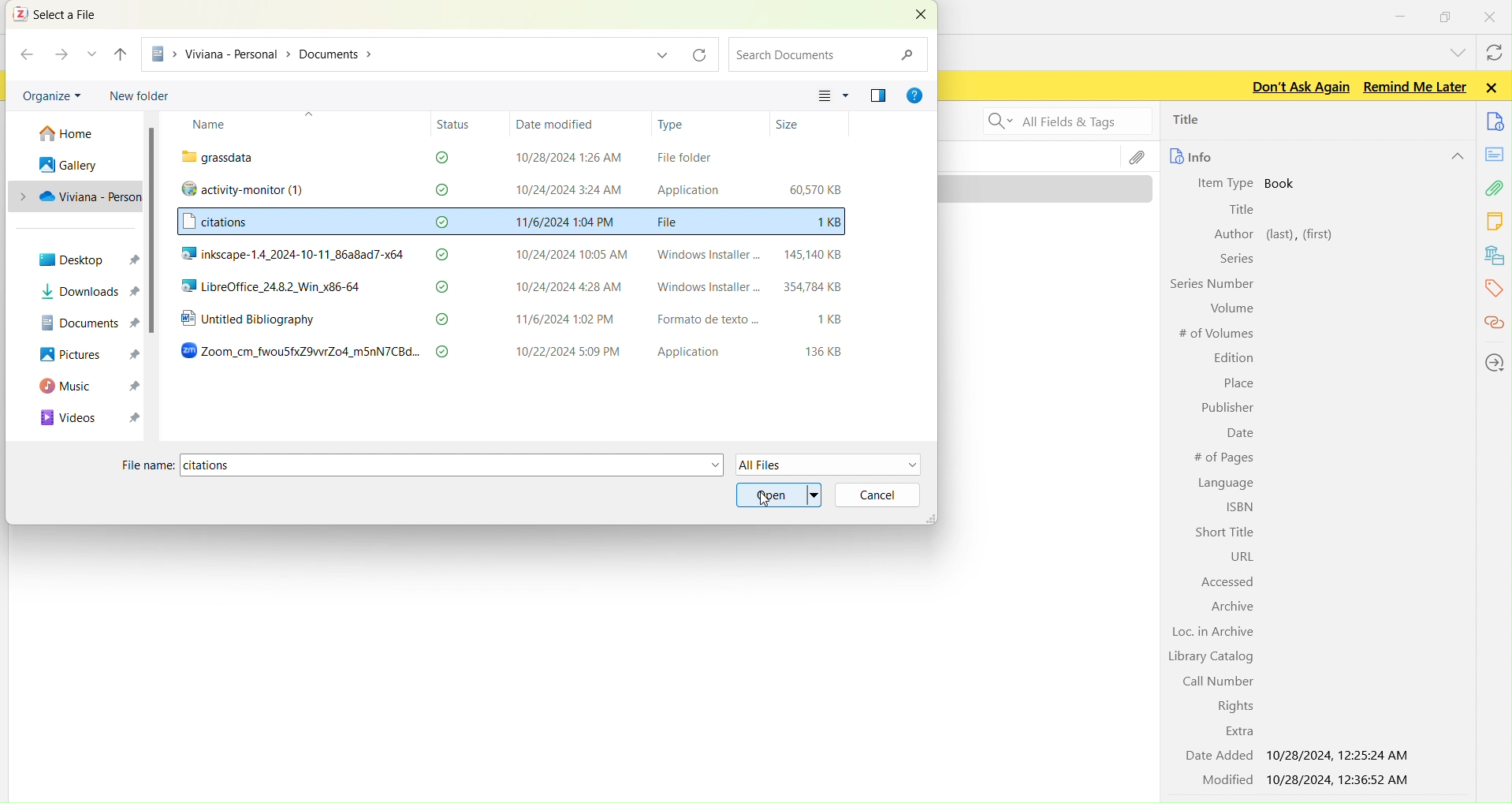 The image size is (1512, 803). I want to click on Close, so click(1492, 88).